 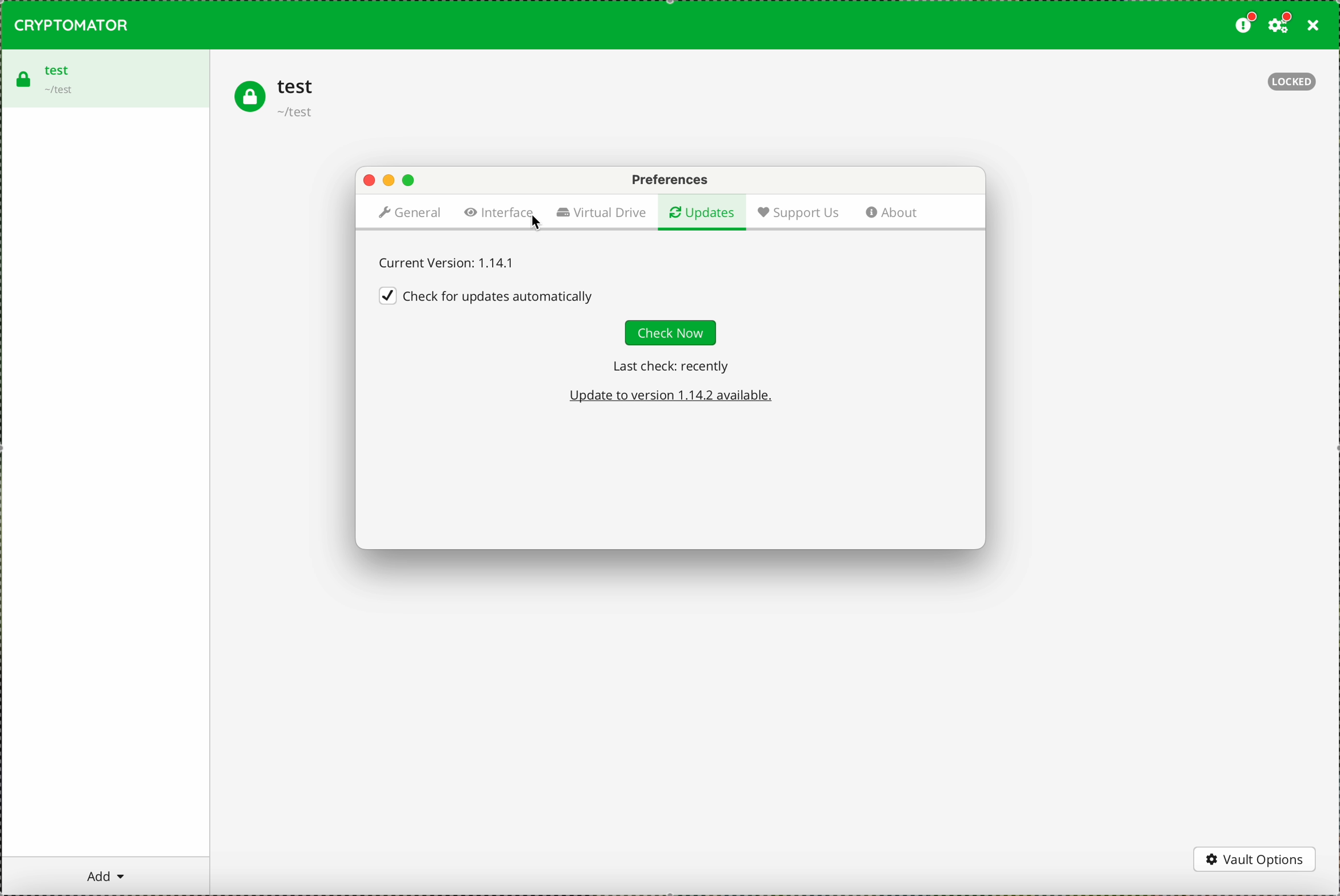 What do you see at coordinates (799, 213) in the screenshot?
I see `support us` at bounding box center [799, 213].